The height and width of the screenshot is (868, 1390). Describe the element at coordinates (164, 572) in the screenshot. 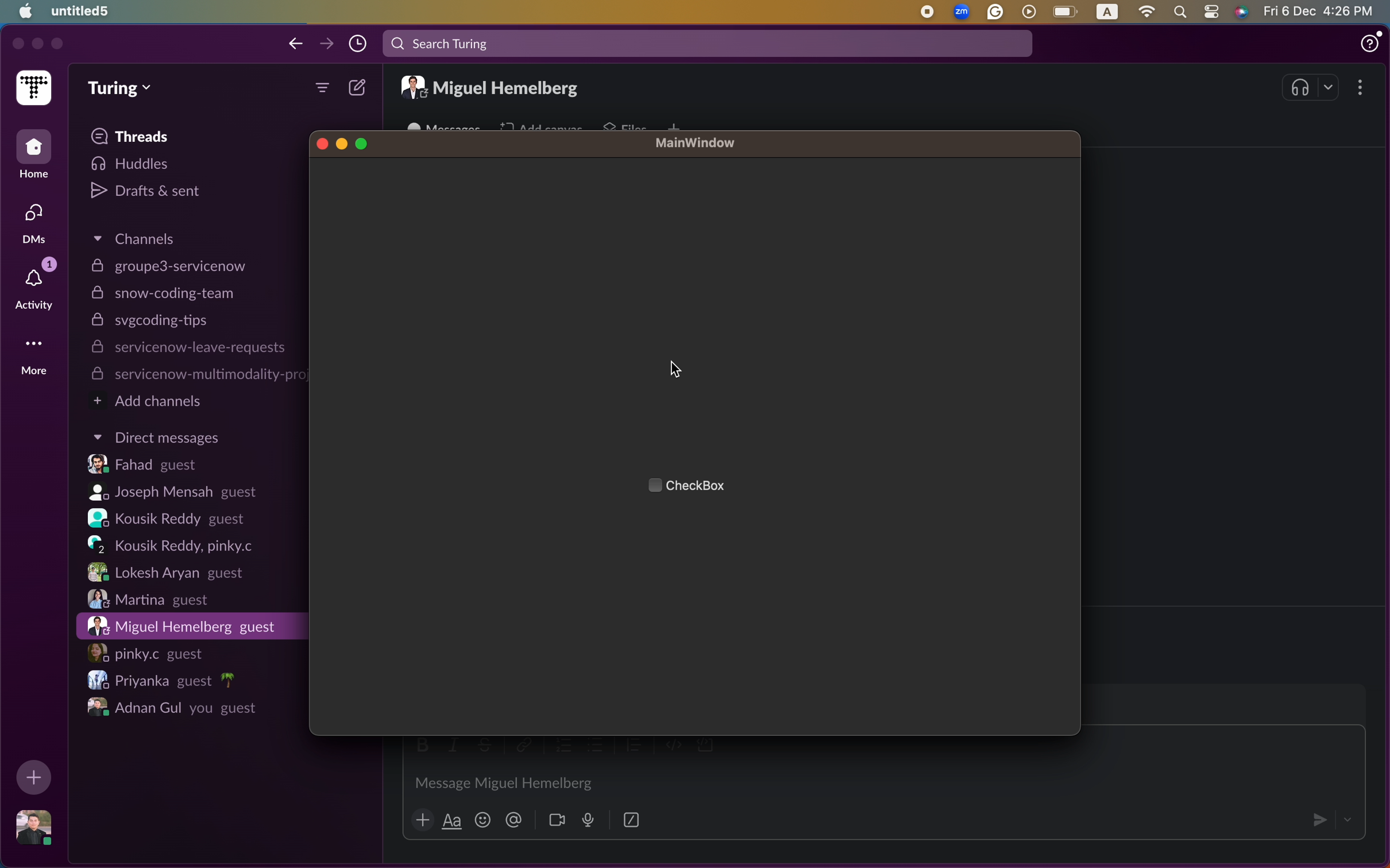

I see `Lokesh` at that location.